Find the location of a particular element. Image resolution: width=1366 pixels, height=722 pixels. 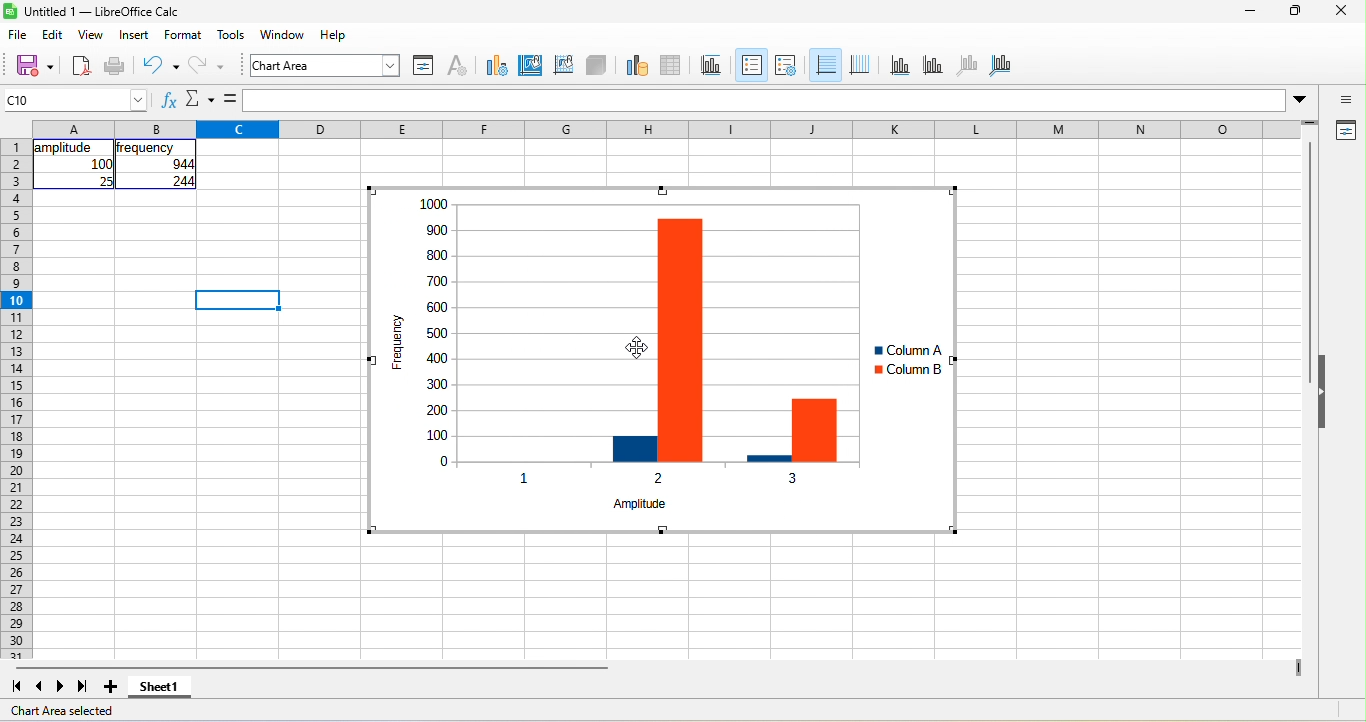

insert is located at coordinates (134, 34).